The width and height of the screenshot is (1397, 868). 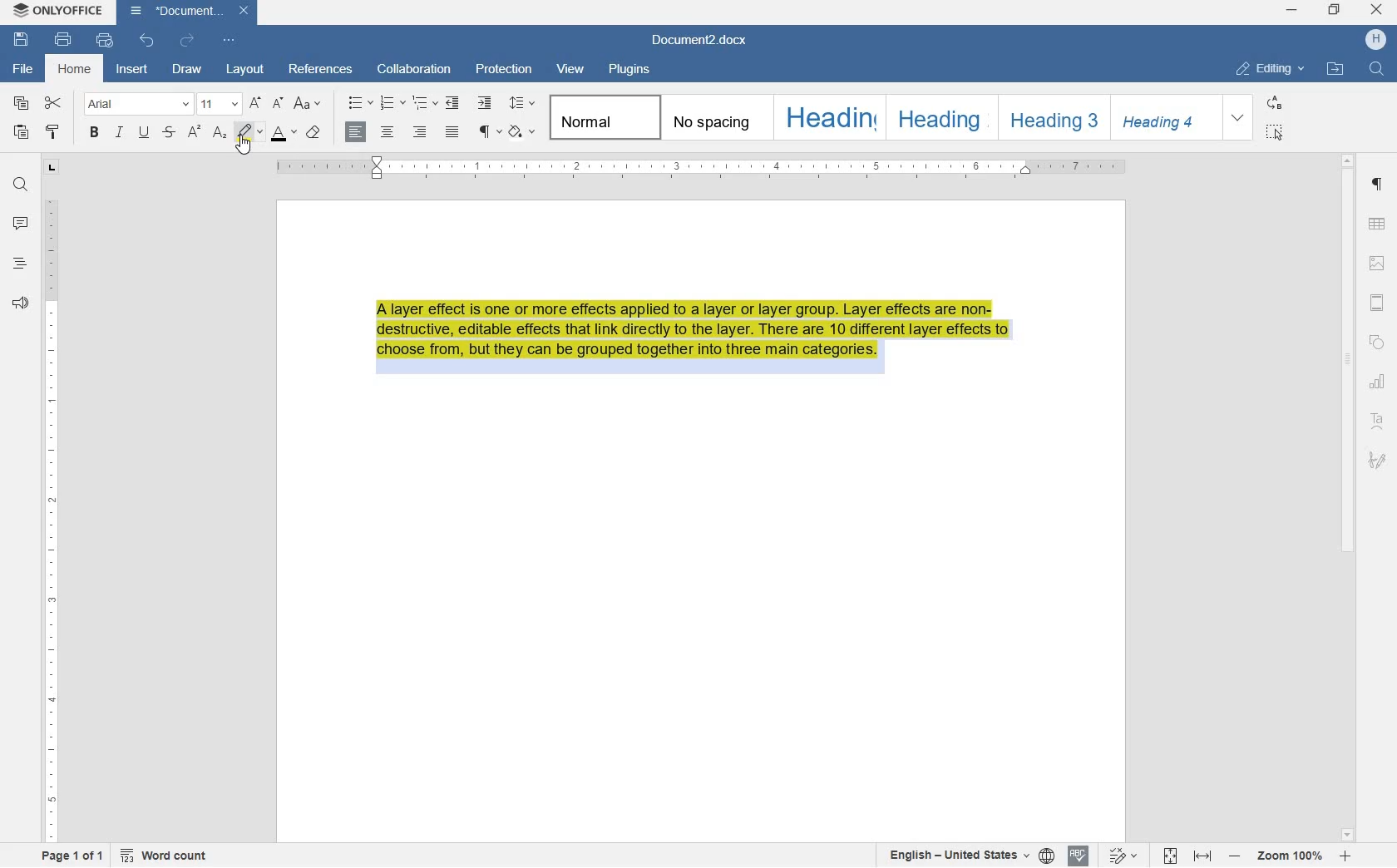 What do you see at coordinates (392, 102) in the screenshot?
I see `NUMBERING` at bounding box center [392, 102].